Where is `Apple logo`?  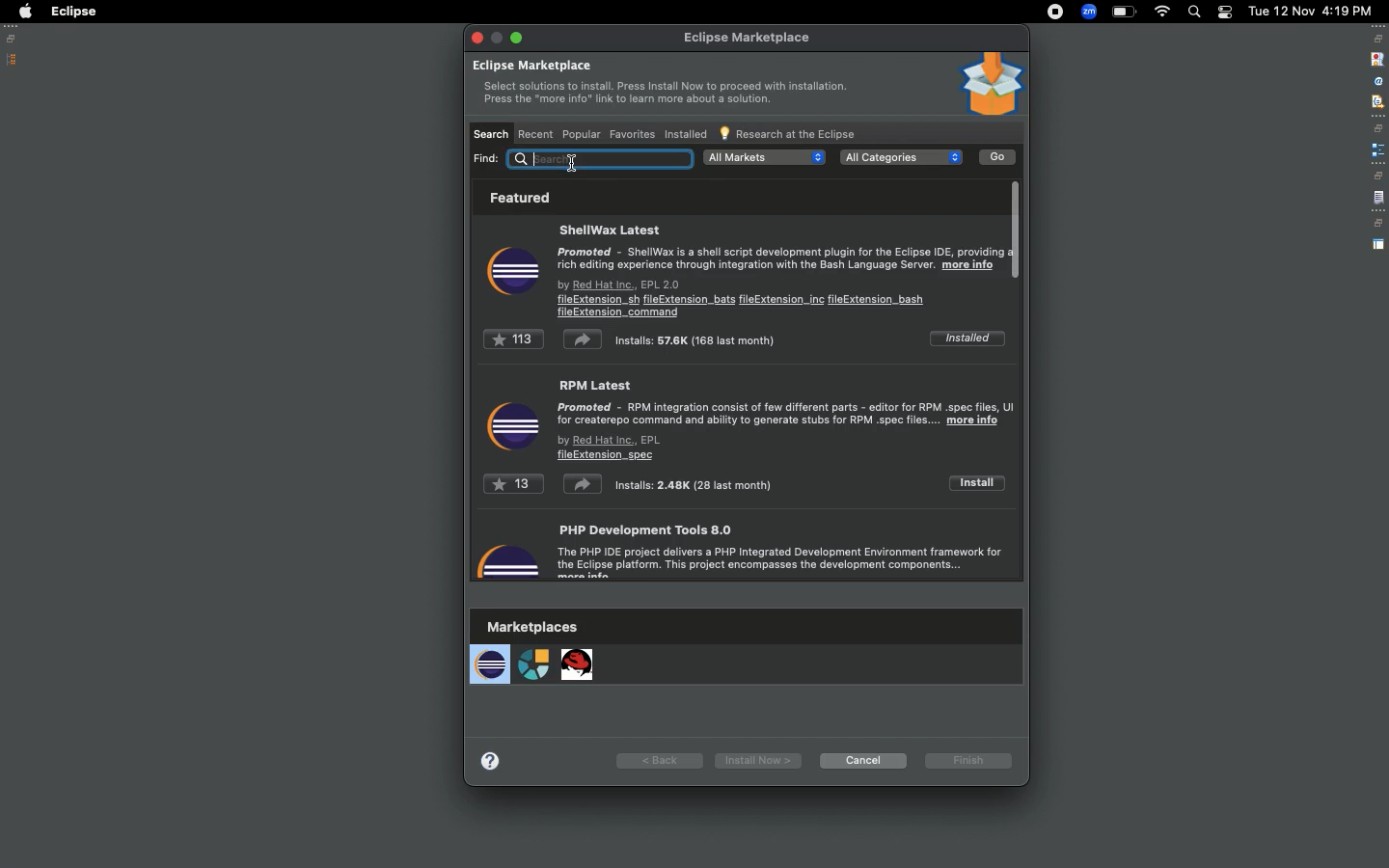 Apple logo is located at coordinates (24, 12).